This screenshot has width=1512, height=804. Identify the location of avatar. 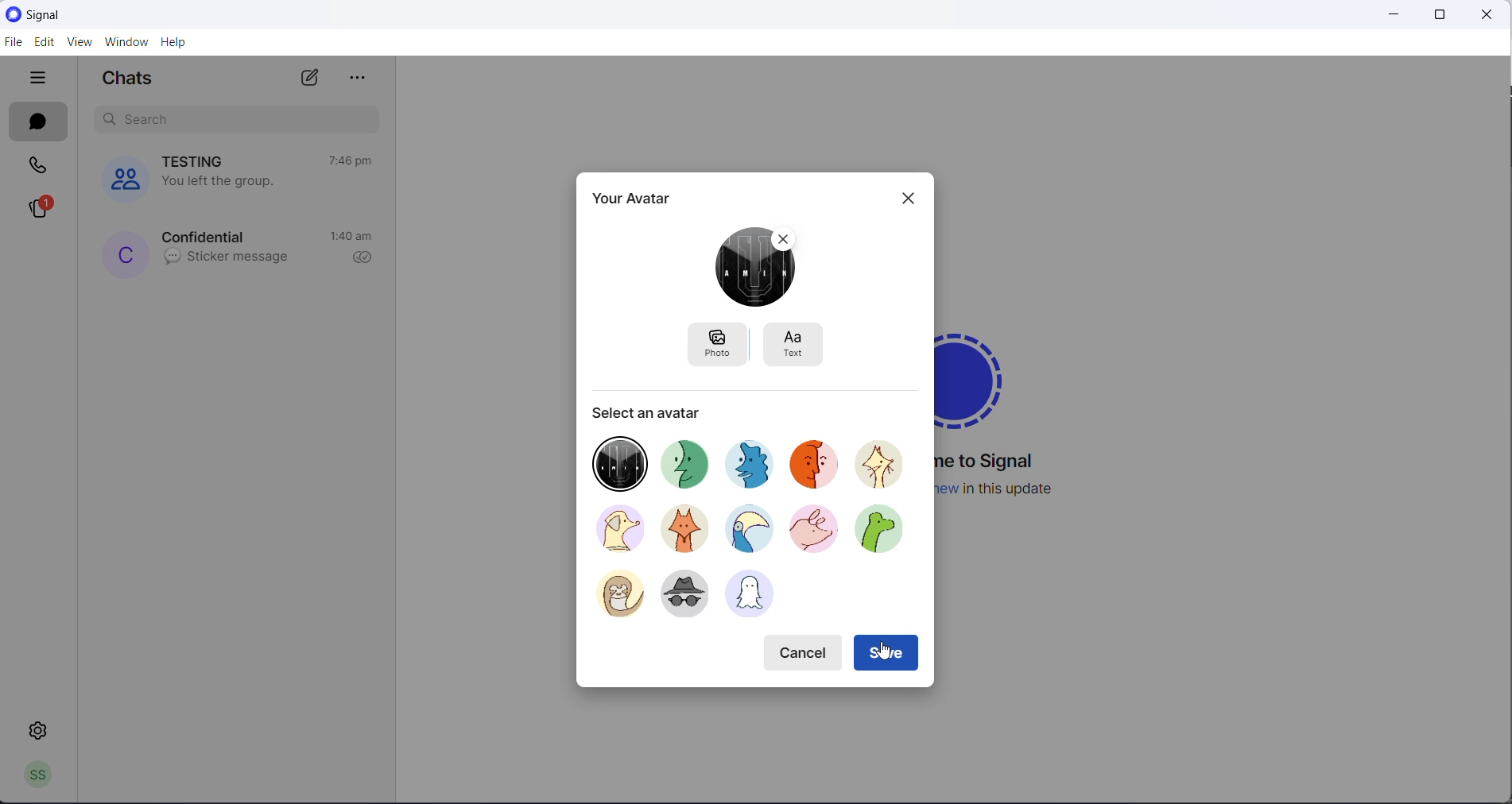
(690, 460).